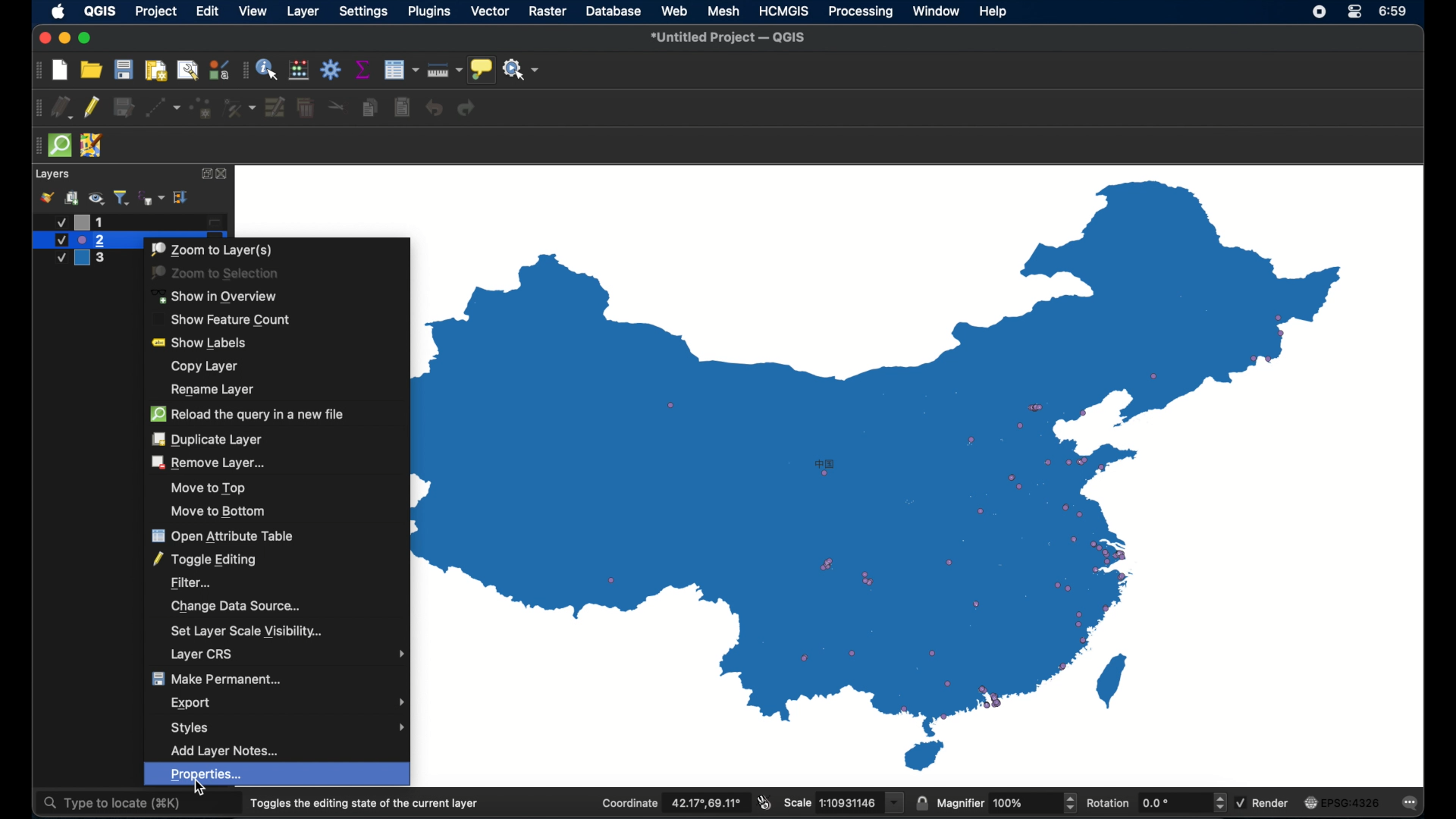 The width and height of the screenshot is (1456, 819). Describe the element at coordinates (331, 69) in the screenshot. I see `toolbox` at that location.